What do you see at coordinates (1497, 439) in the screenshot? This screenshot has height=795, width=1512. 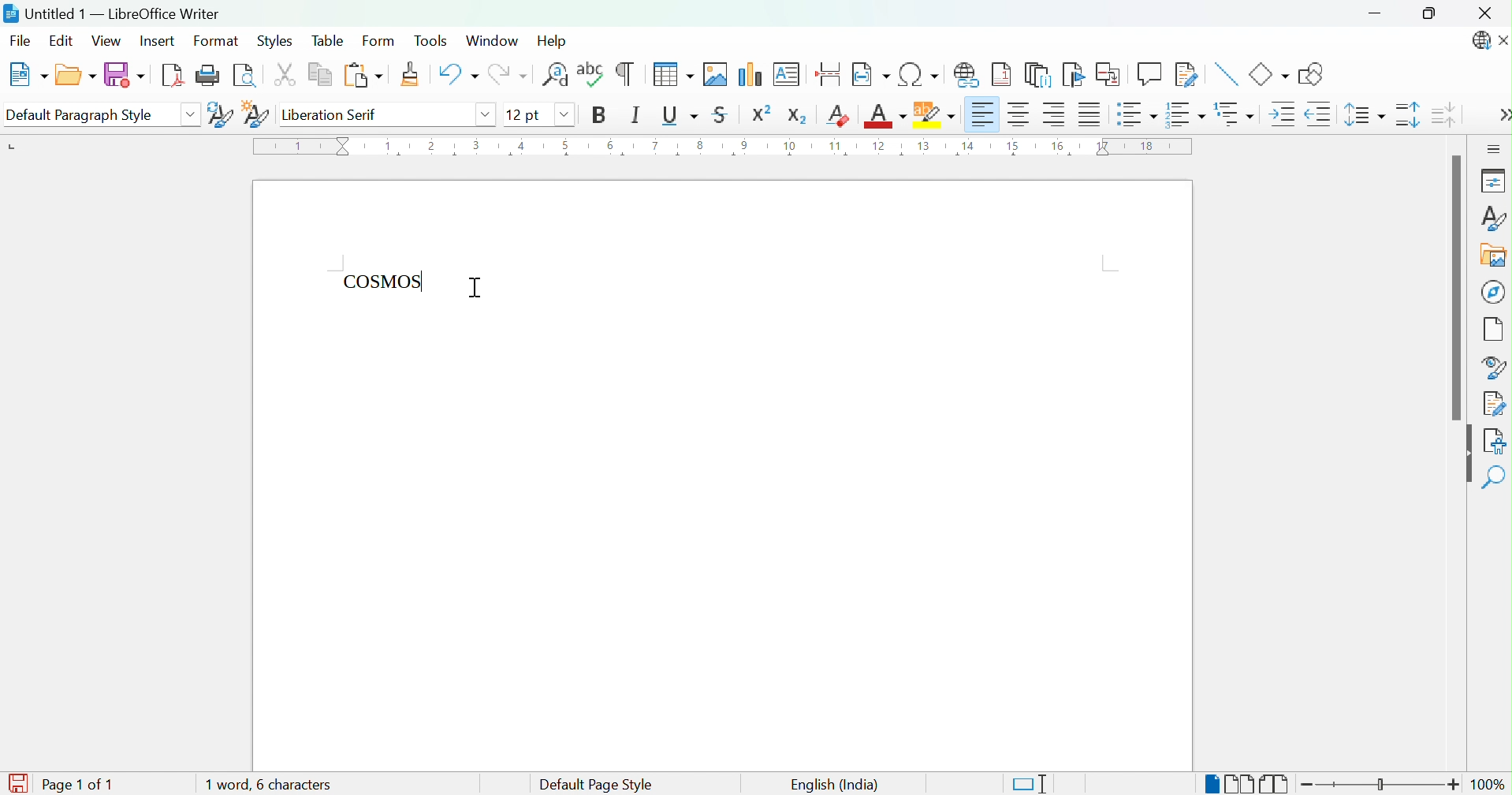 I see `Accessibility Check` at bounding box center [1497, 439].